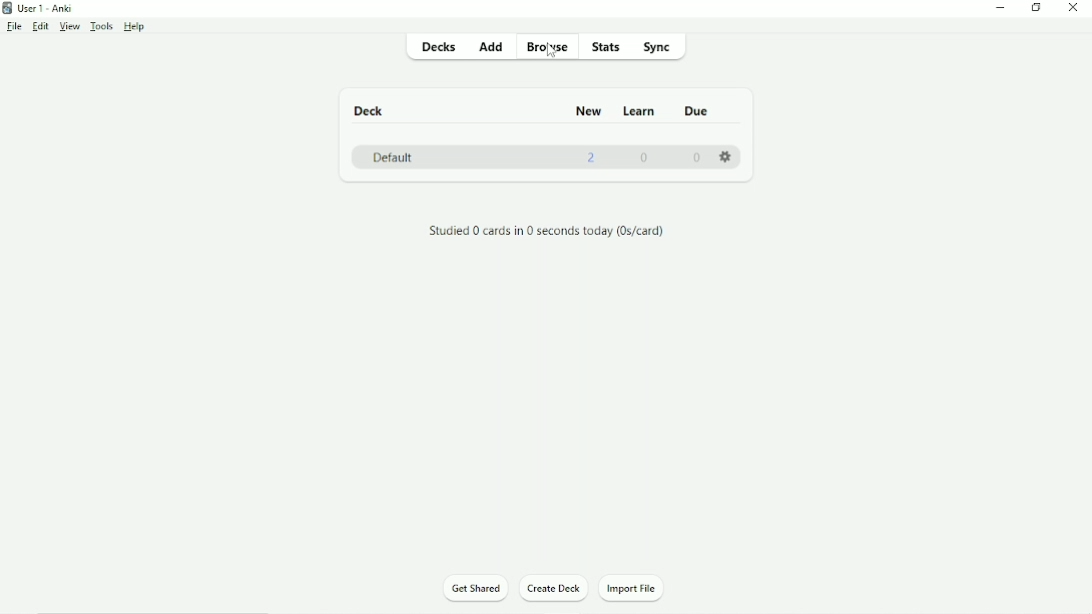 The width and height of the screenshot is (1092, 614). What do you see at coordinates (137, 26) in the screenshot?
I see `Help` at bounding box center [137, 26].